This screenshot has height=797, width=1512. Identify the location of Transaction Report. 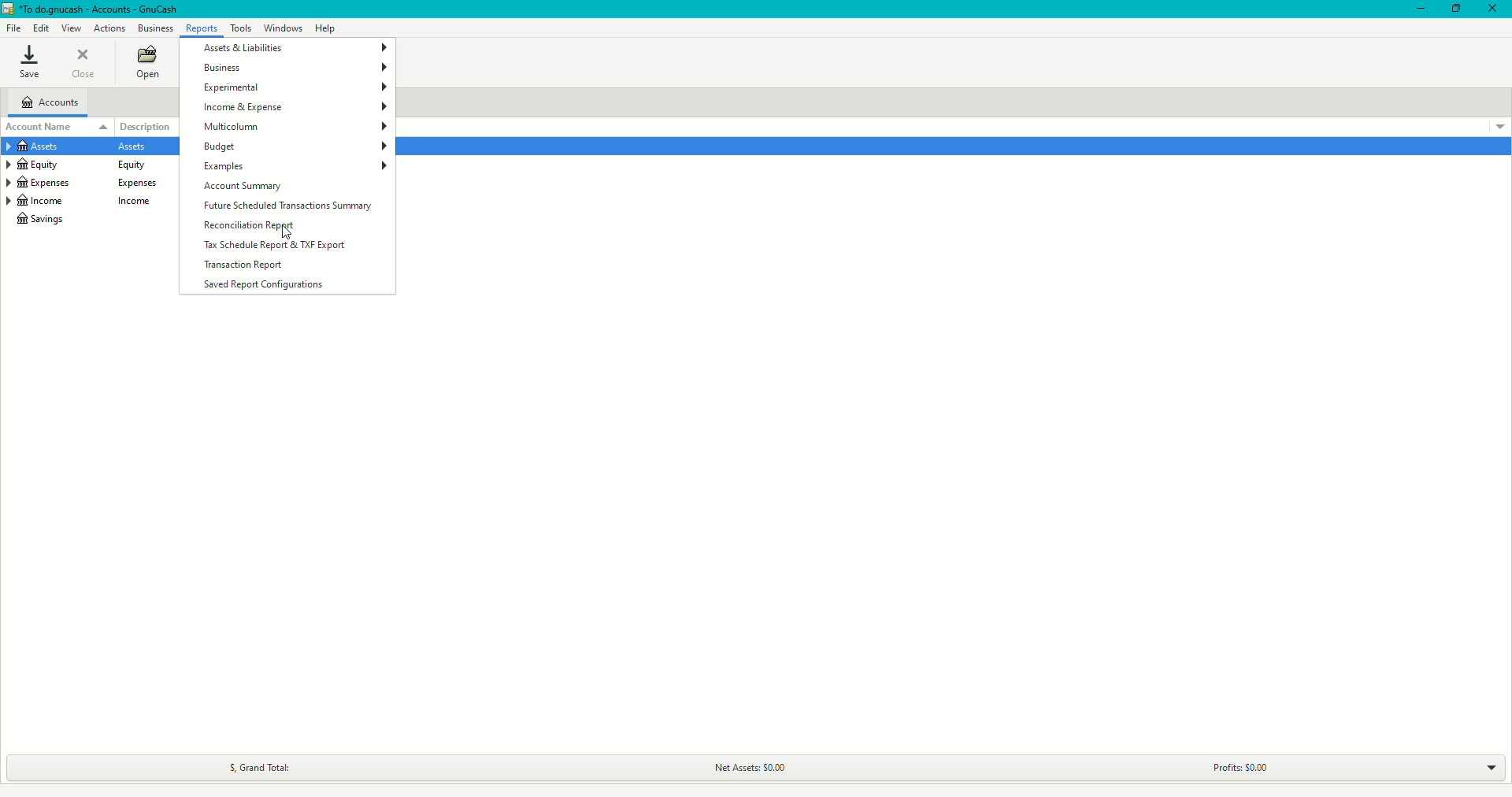
(246, 265).